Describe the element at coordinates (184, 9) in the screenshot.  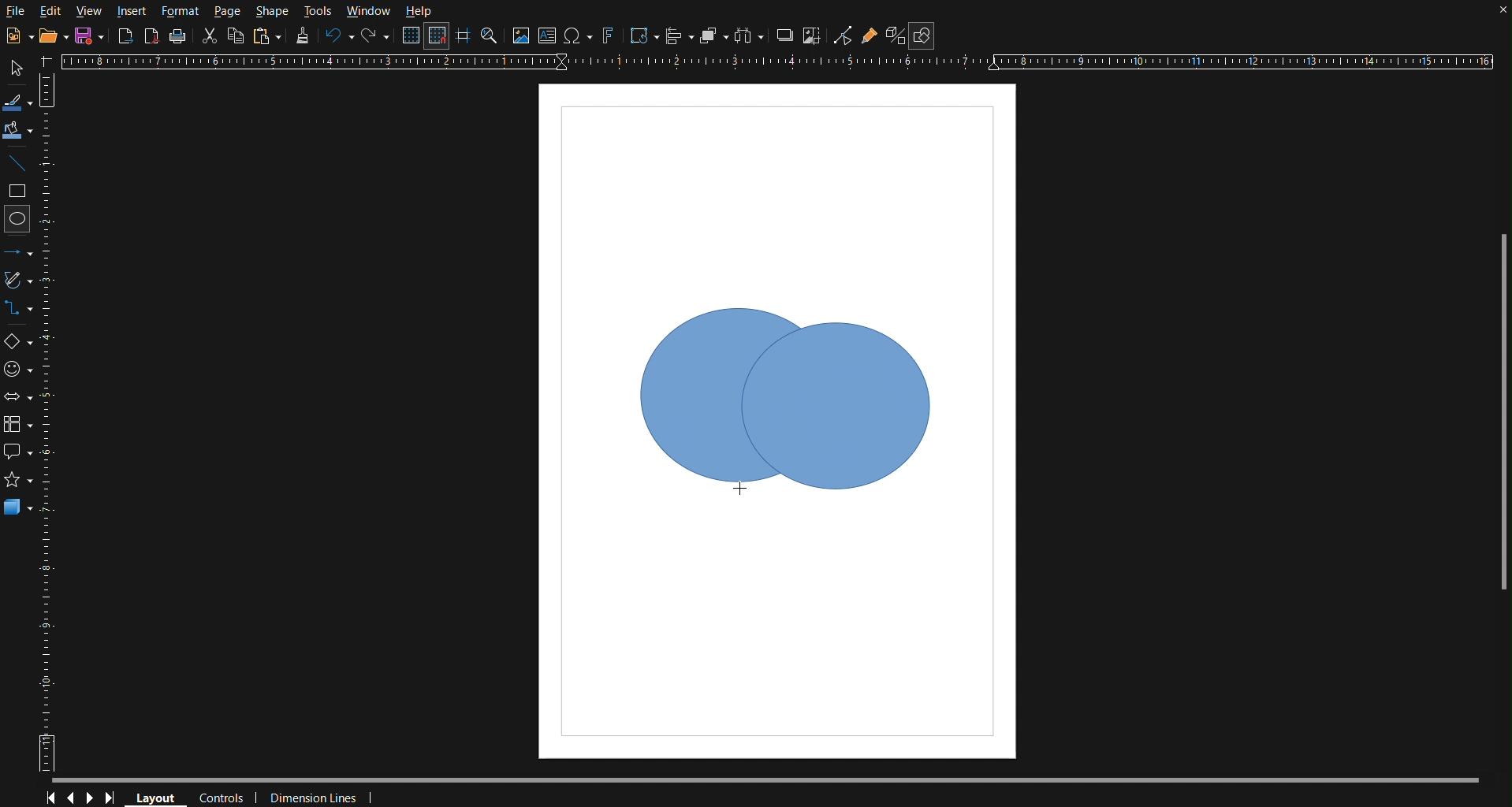
I see `Format` at that location.